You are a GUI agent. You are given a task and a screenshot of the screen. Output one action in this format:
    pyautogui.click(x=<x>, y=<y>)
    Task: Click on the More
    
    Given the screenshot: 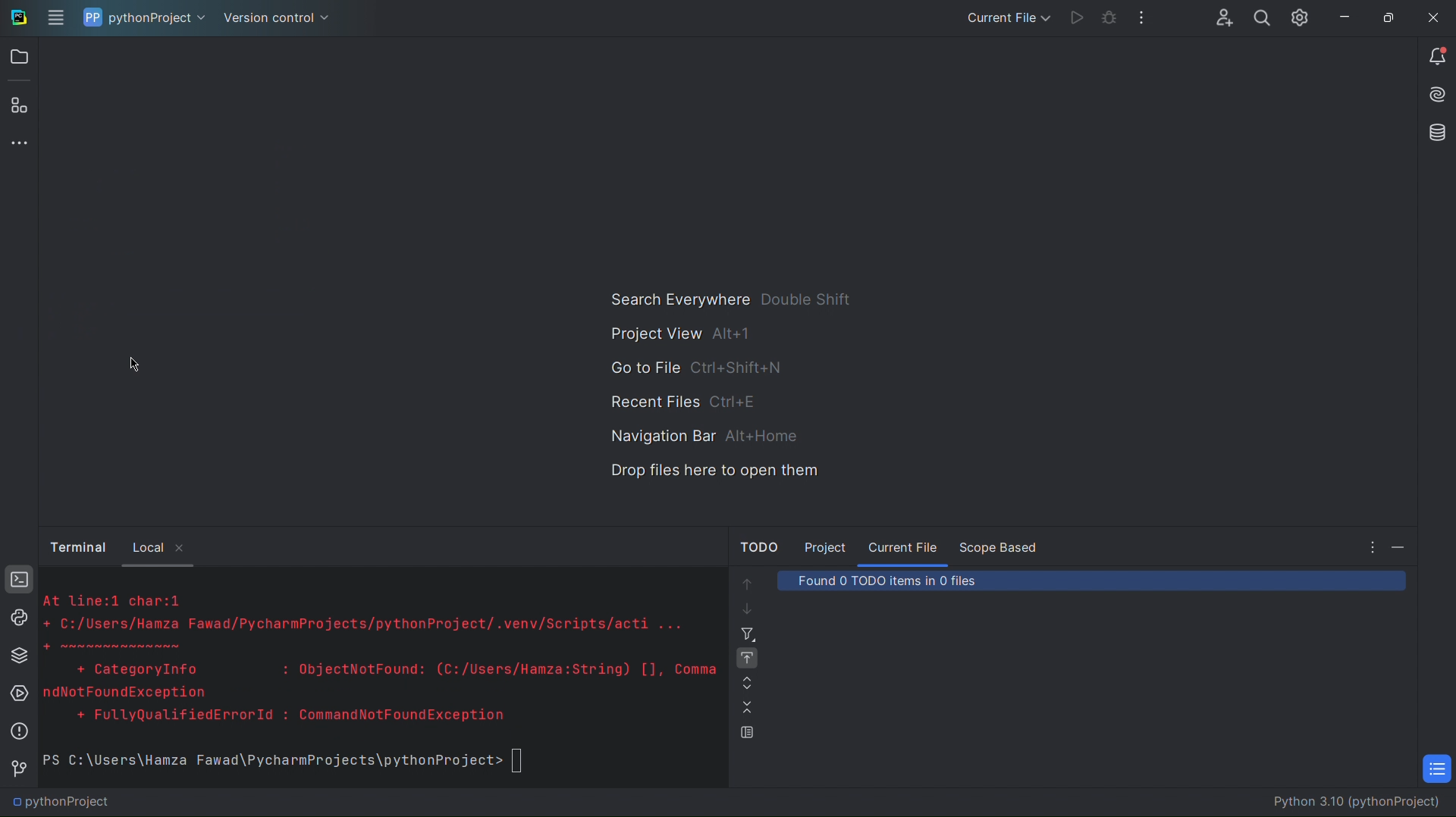 What is the action you would take?
    pyautogui.click(x=1143, y=19)
    